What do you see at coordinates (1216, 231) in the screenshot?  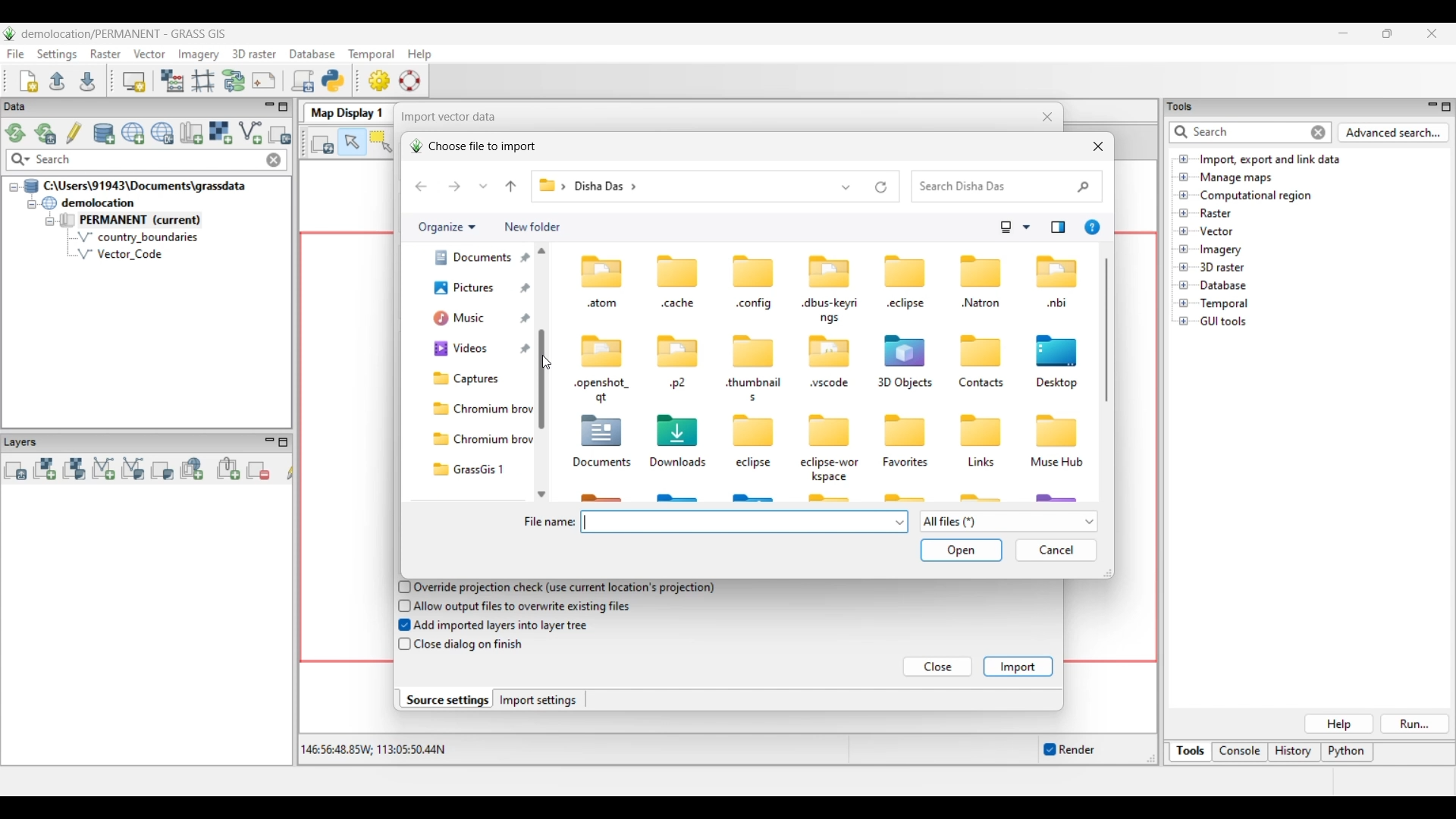 I see `Double click to see files under Vector` at bounding box center [1216, 231].